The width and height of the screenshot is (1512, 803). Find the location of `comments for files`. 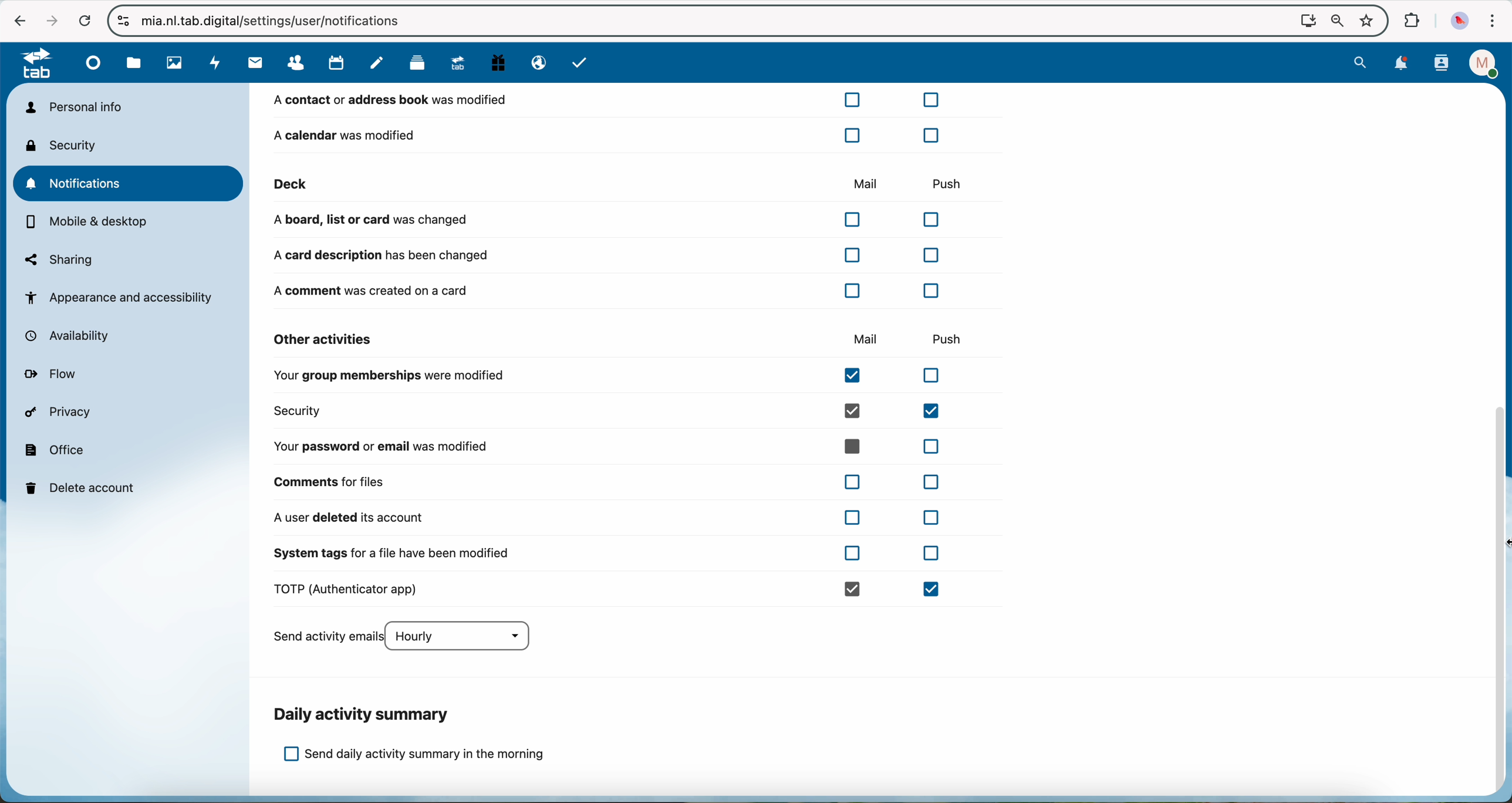

comments for files is located at coordinates (612, 481).